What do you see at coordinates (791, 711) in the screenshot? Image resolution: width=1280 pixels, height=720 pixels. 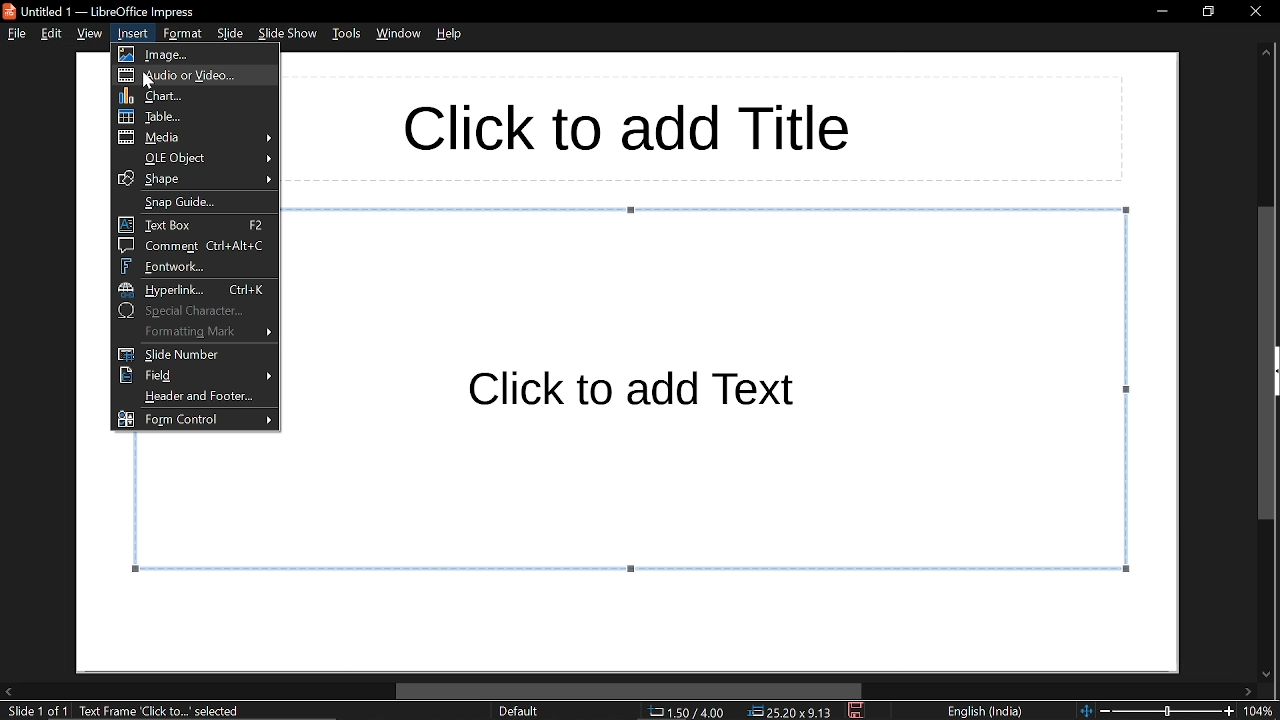 I see `position` at bounding box center [791, 711].